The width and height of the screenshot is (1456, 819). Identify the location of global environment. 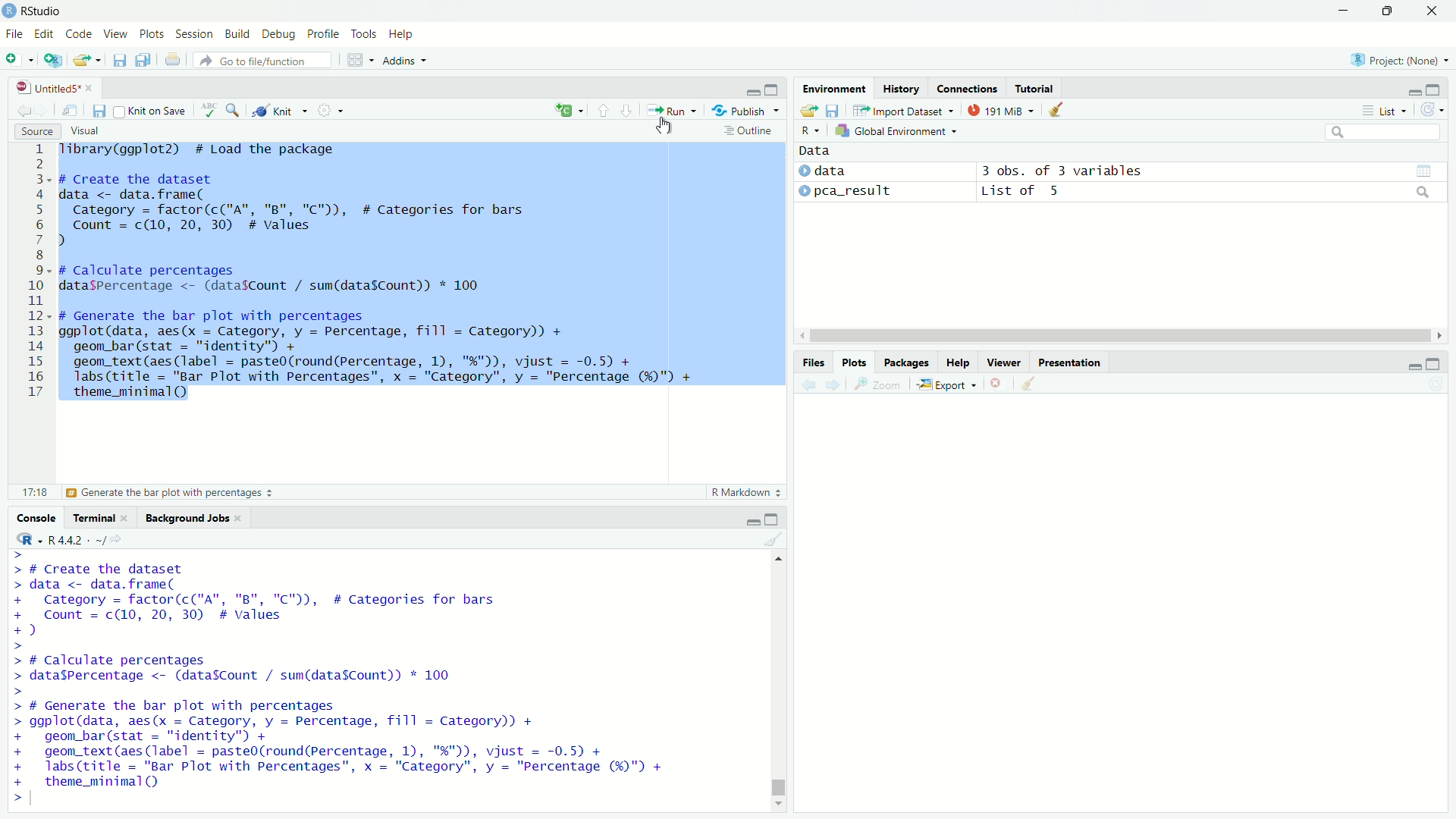
(897, 130).